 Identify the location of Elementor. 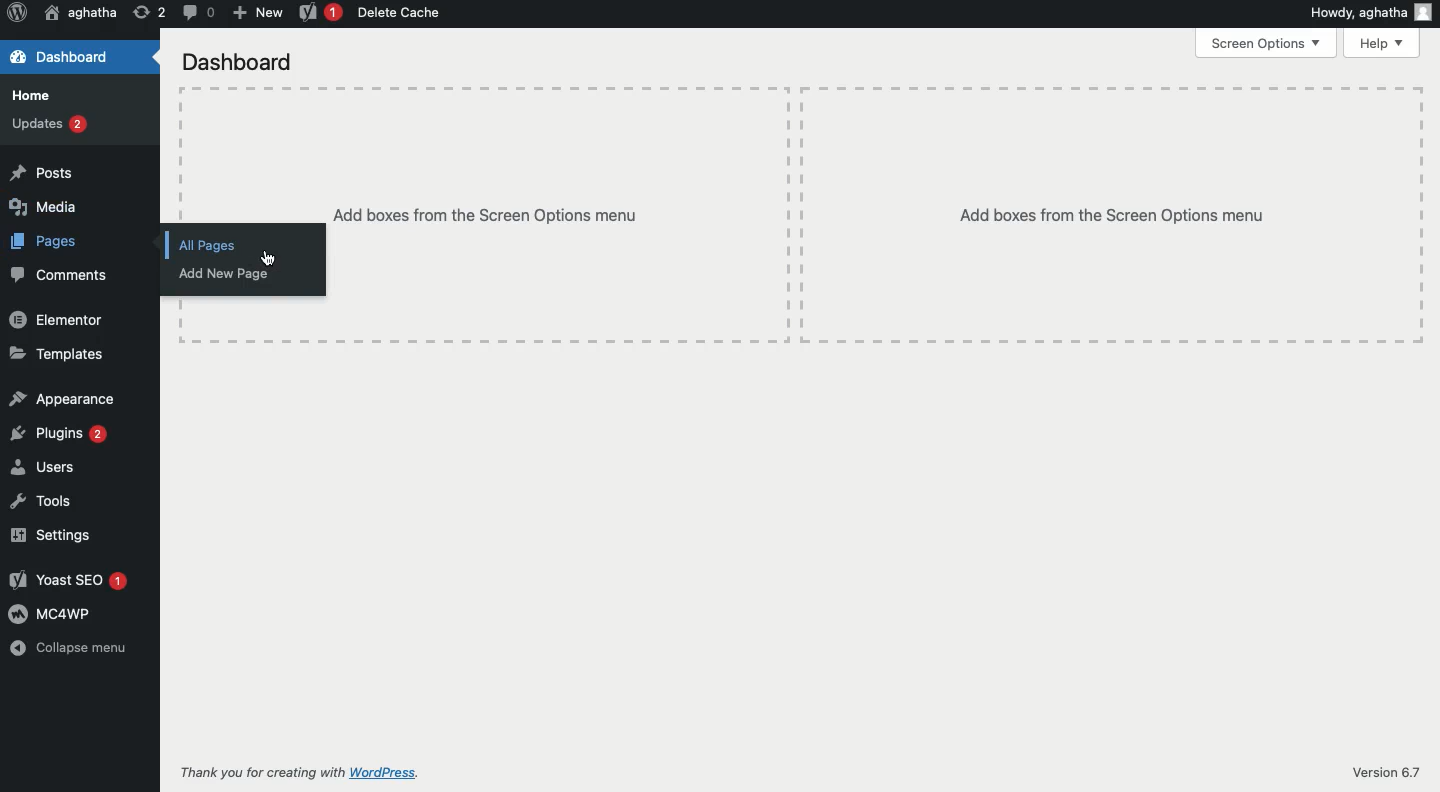
(58, 321).